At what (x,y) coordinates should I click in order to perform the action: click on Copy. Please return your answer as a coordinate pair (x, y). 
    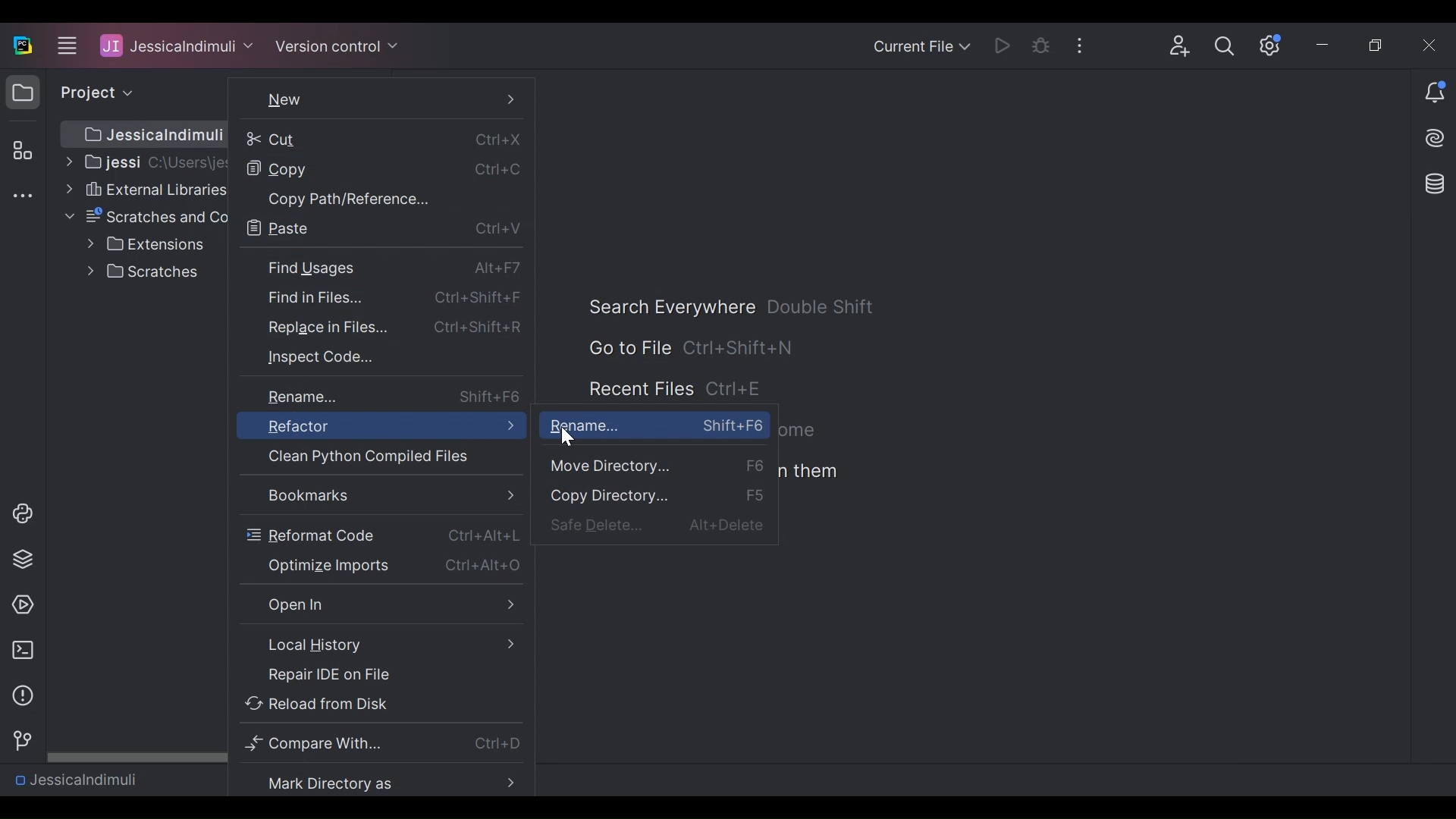
    Looking at the image, I should click on (378, 171).